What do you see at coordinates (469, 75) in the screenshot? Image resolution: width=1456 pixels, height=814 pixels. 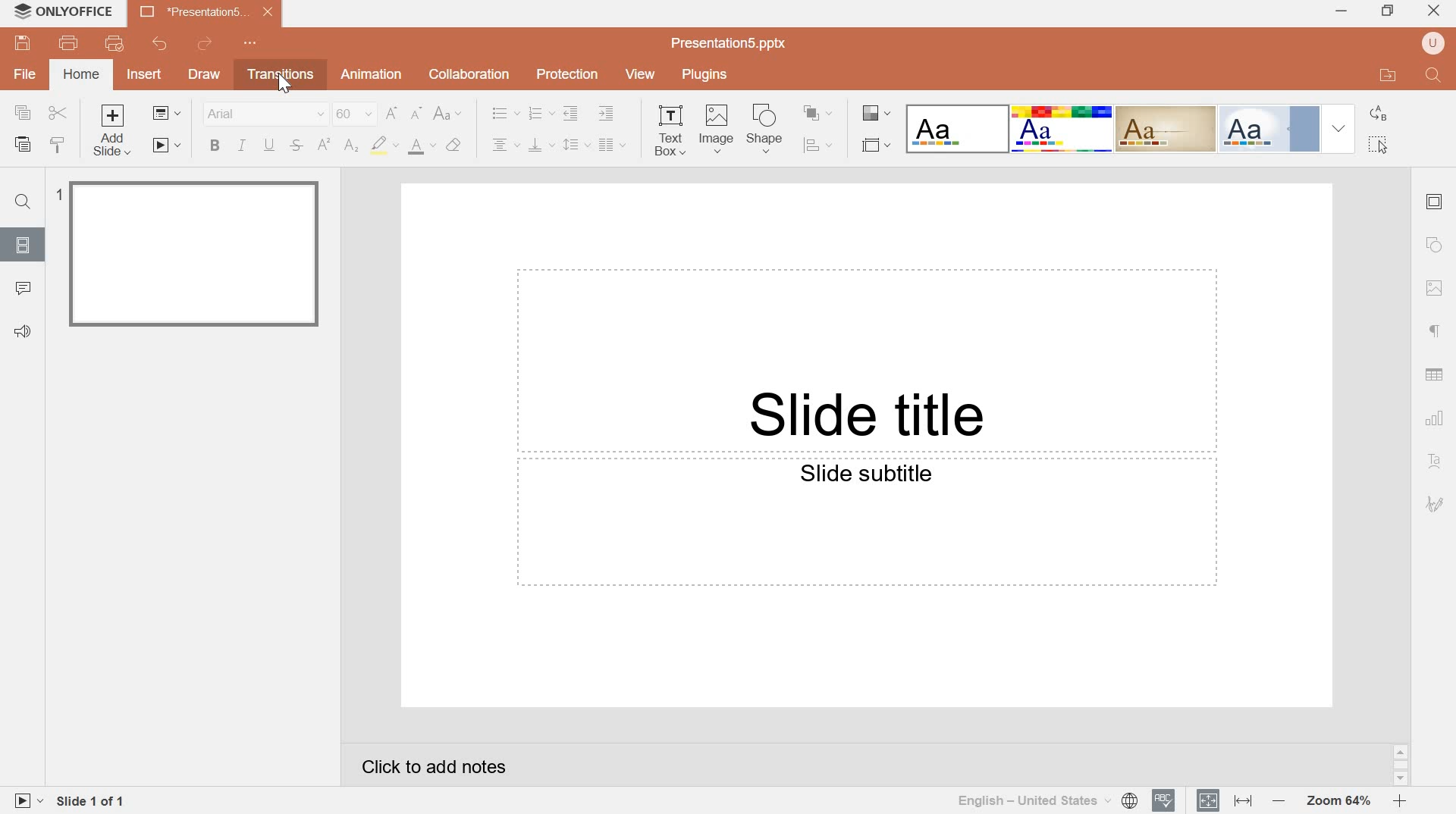 I see `collaboration` at bounding box center [469, 75].